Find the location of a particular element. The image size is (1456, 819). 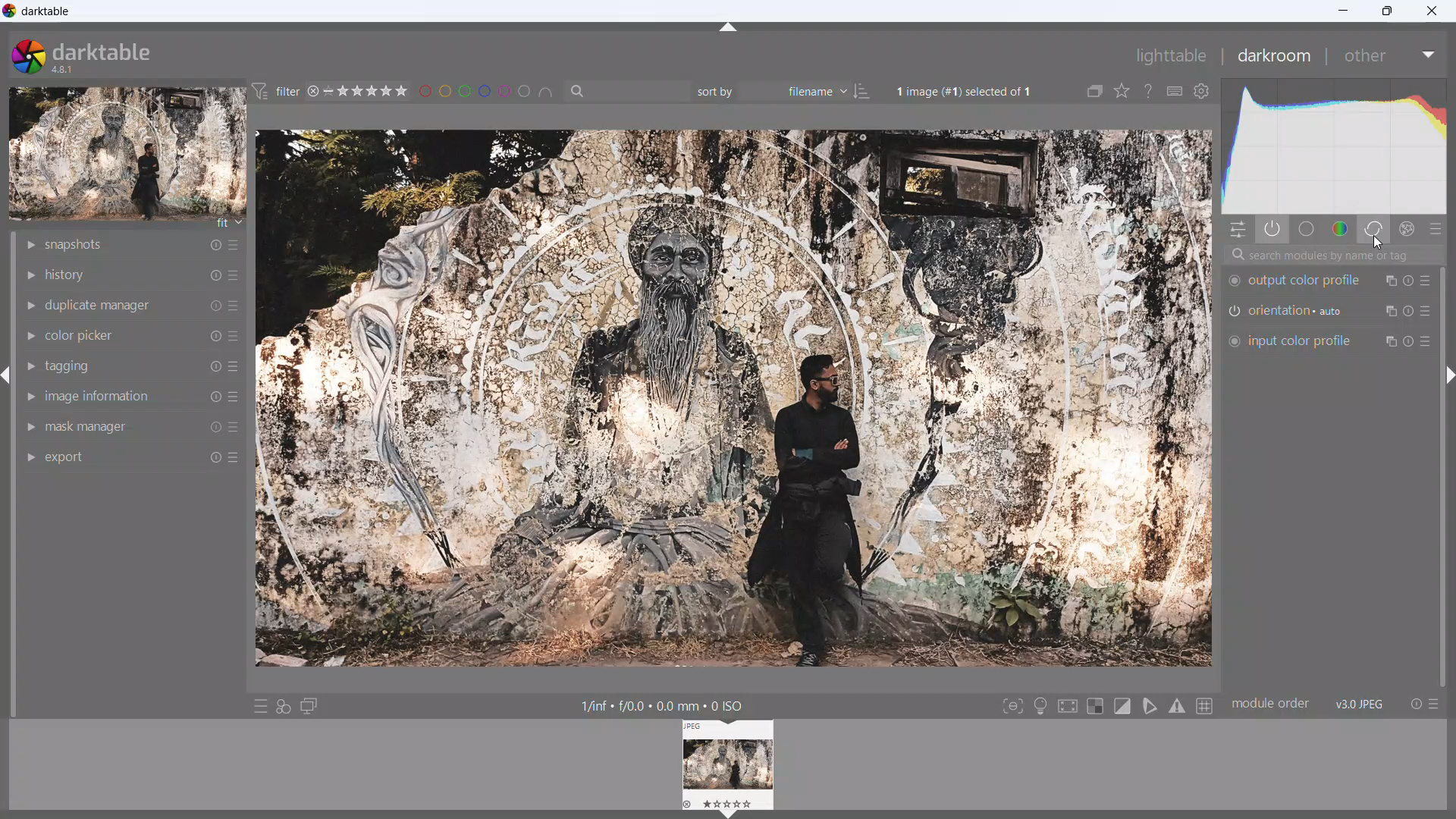

scrollbar is located at coordinates (1442, 477).